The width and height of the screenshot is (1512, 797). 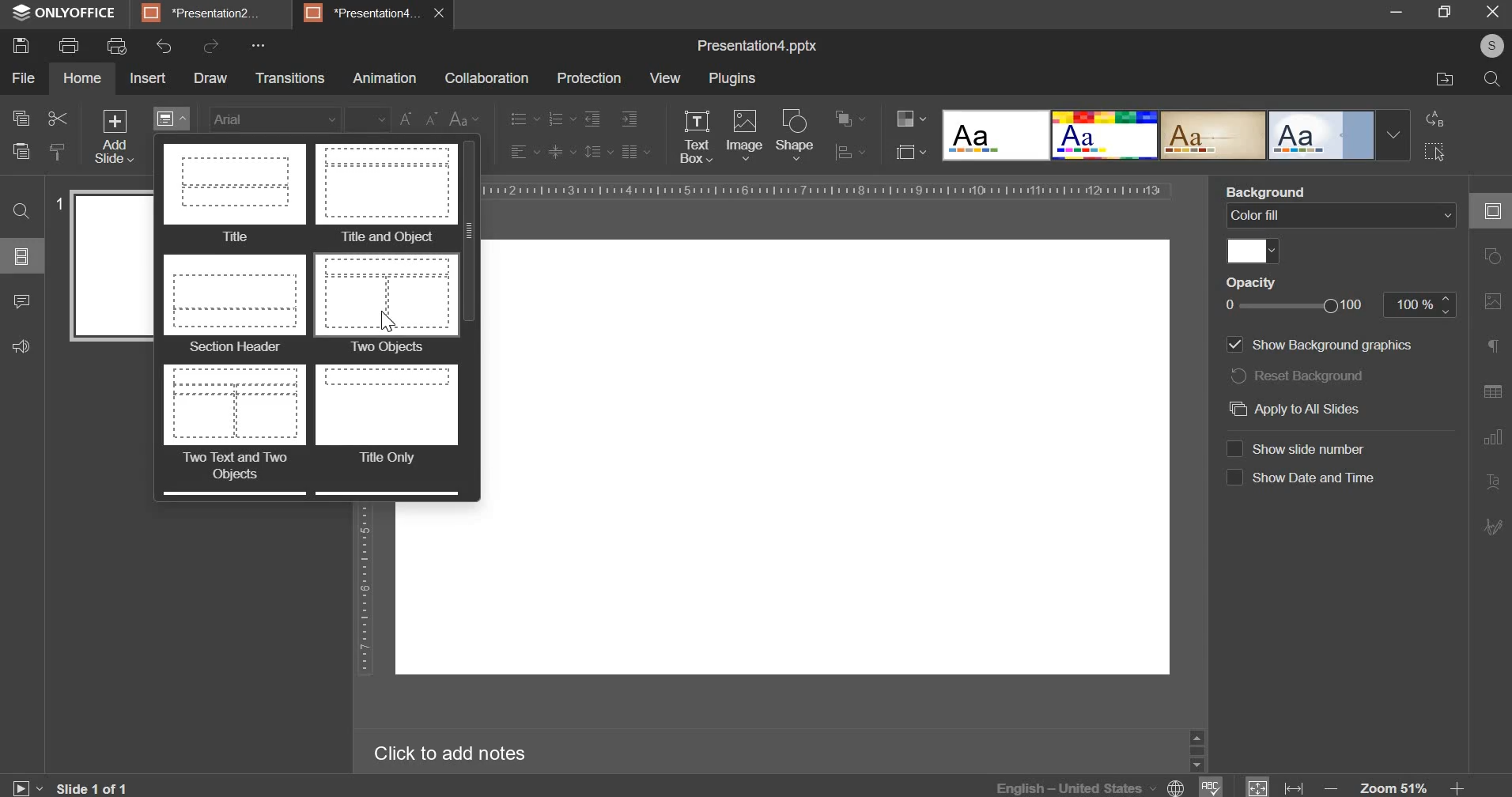 What do you see at coordinates (444, 13) in the screenshot?
I see `close presentation4` at bounding box center [444, 13].